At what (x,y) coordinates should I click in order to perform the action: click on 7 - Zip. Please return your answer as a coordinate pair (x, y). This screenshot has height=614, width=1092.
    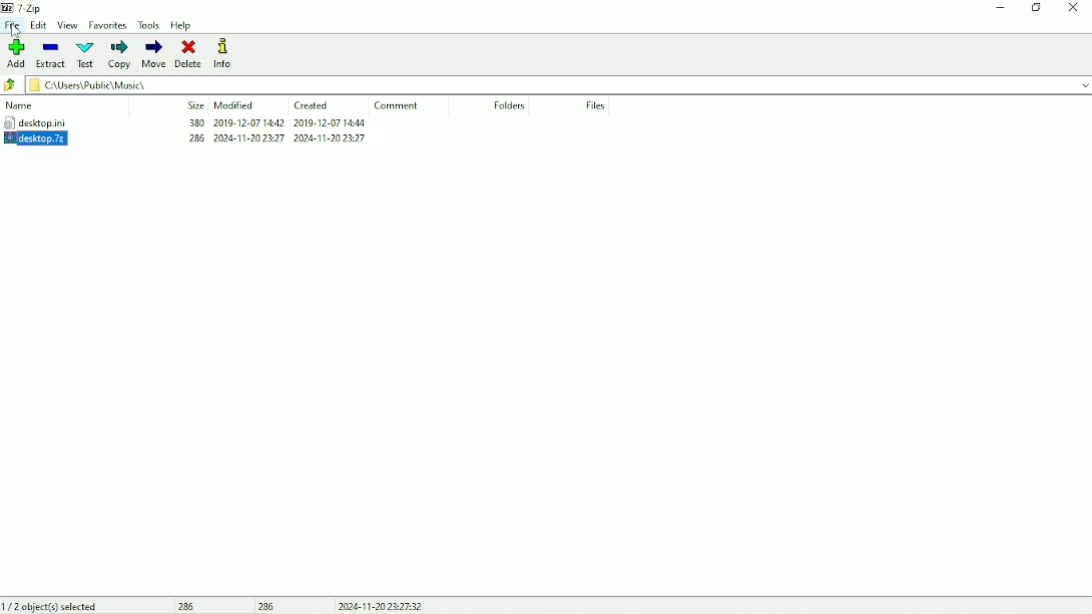
    Looking at the image, I should click on (32, 8).